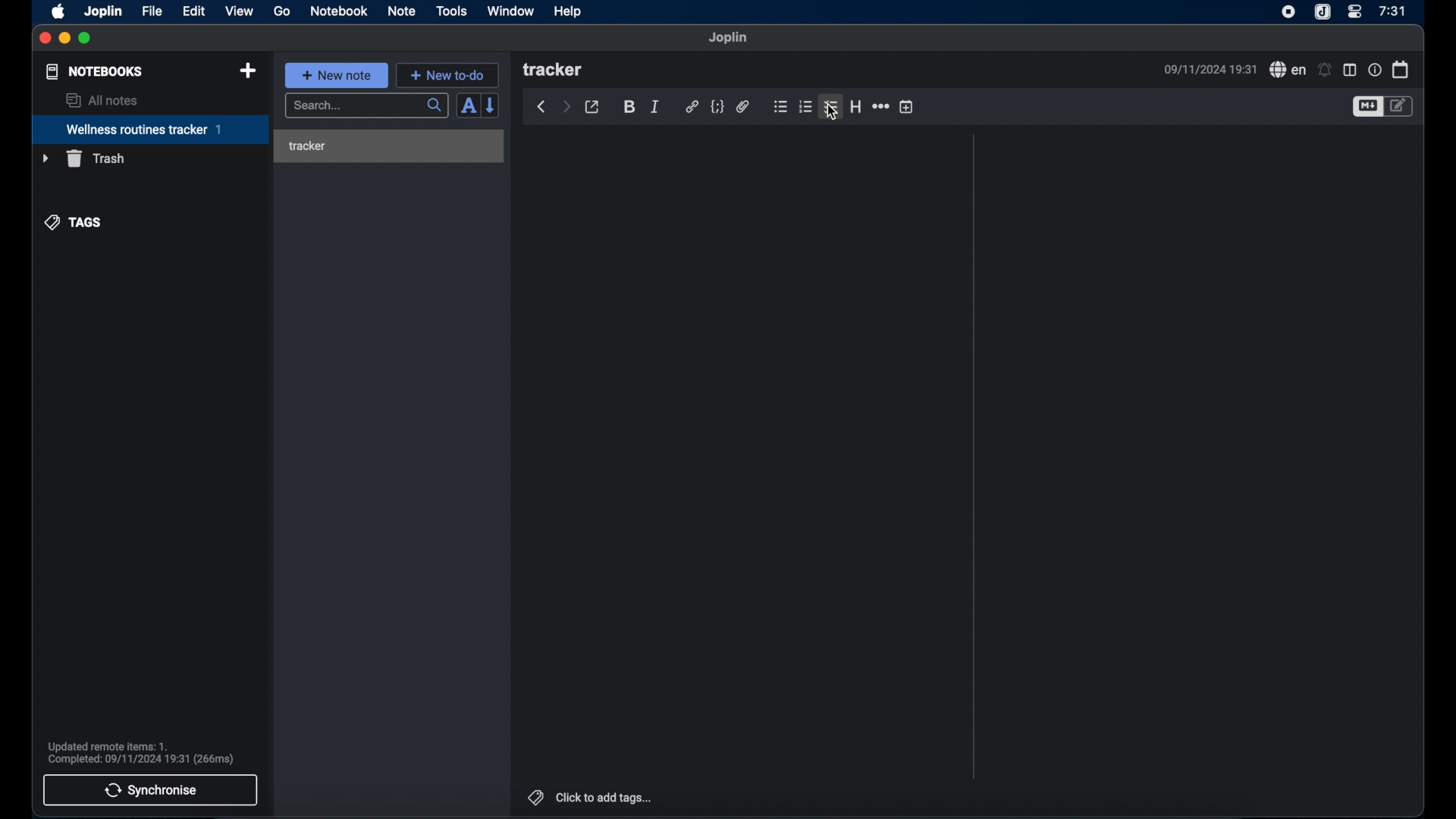 The width and height of the screenshot is (1456, 819). I want to click on toggle external editor, so click(592, 106).